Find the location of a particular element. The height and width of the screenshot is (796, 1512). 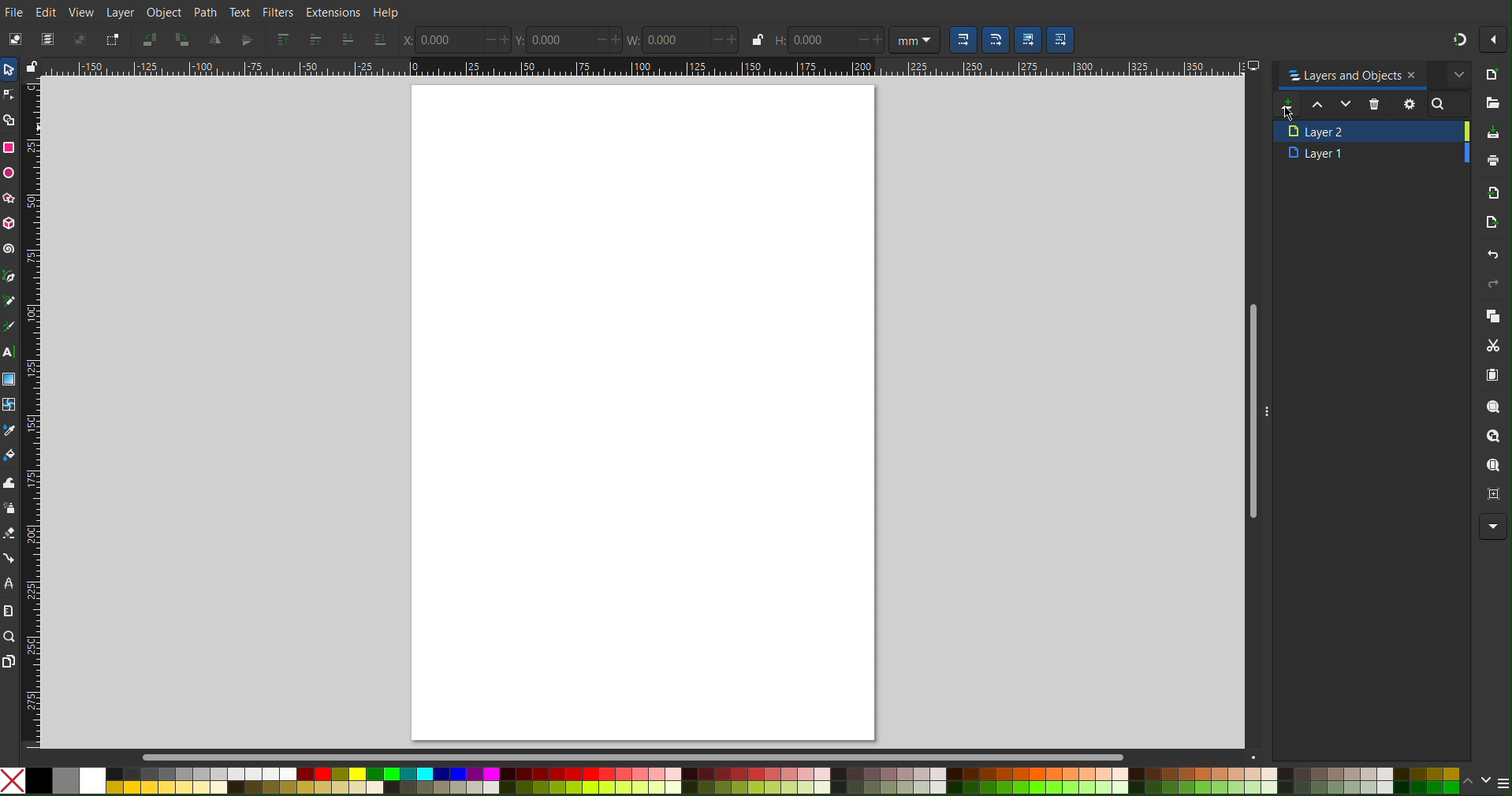

Unit is located at coordinates (915, 39).